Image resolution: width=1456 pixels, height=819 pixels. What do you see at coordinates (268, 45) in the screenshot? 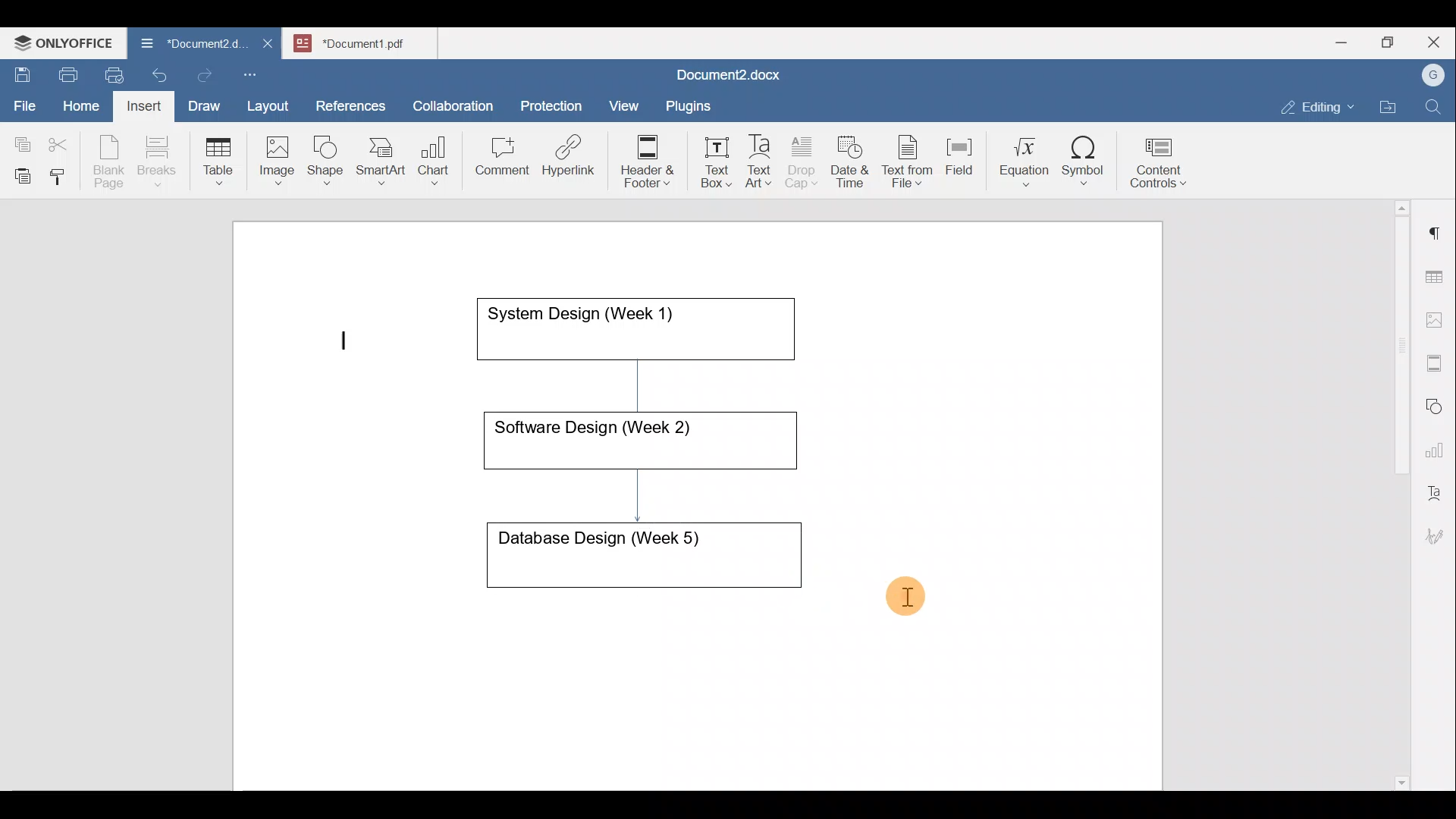
I see `Close document` at bounding box center [268, 45].